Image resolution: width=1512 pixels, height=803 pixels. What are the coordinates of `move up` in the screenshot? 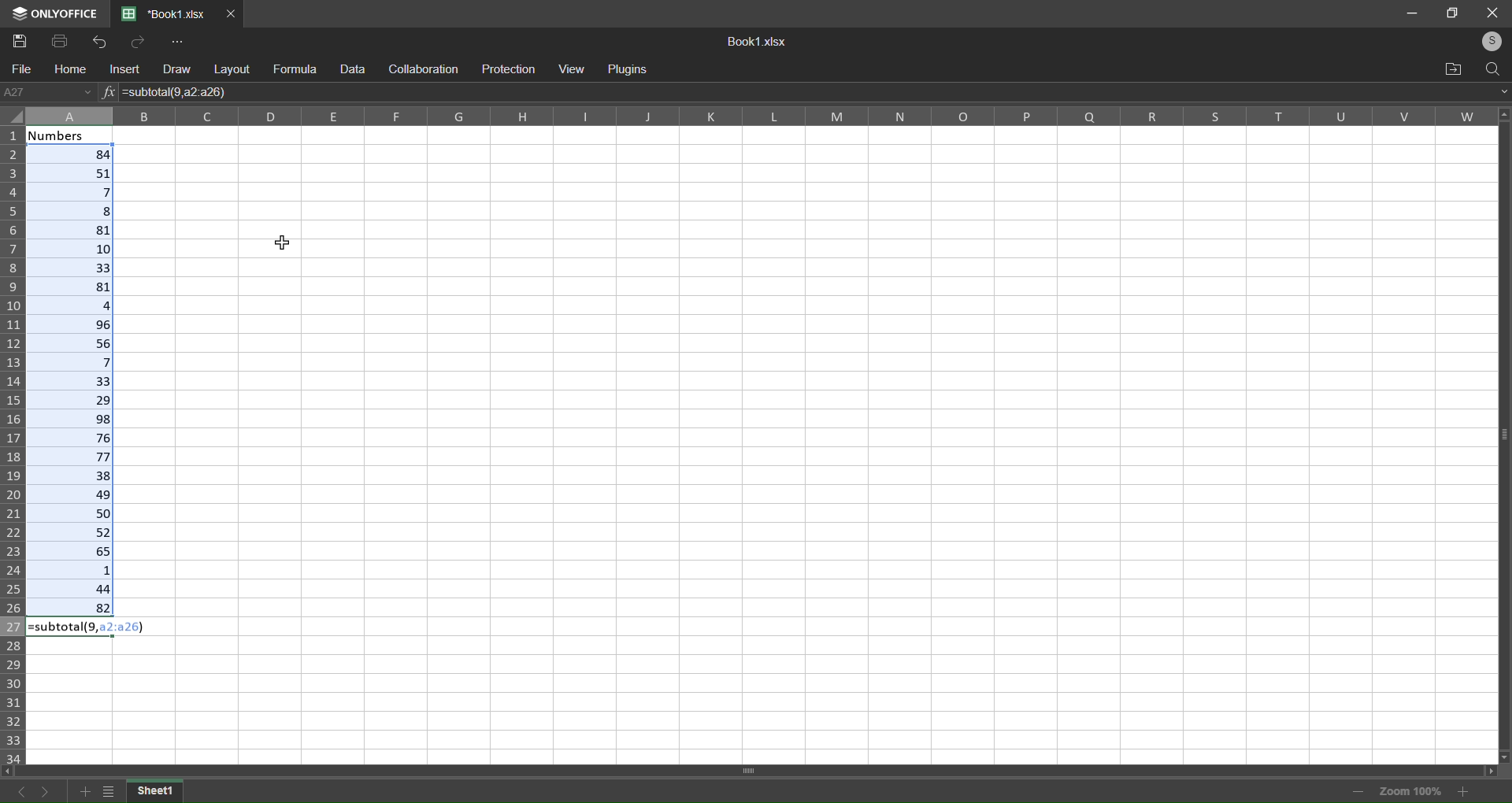 It's located at (1502, 113).